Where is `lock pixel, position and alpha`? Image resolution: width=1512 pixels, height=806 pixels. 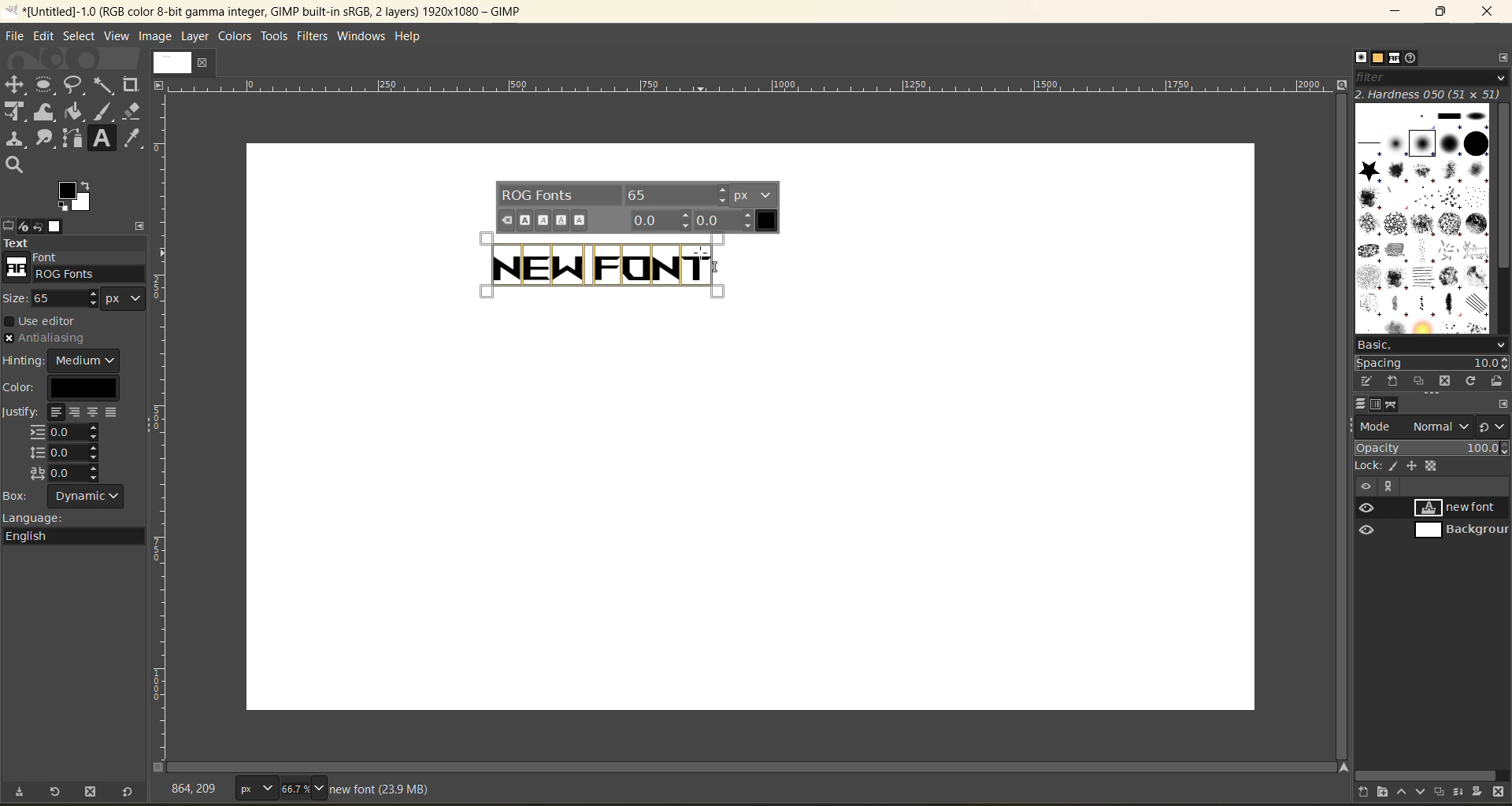 lock pixel, position and alpha is located at coordinates (1431, 467).